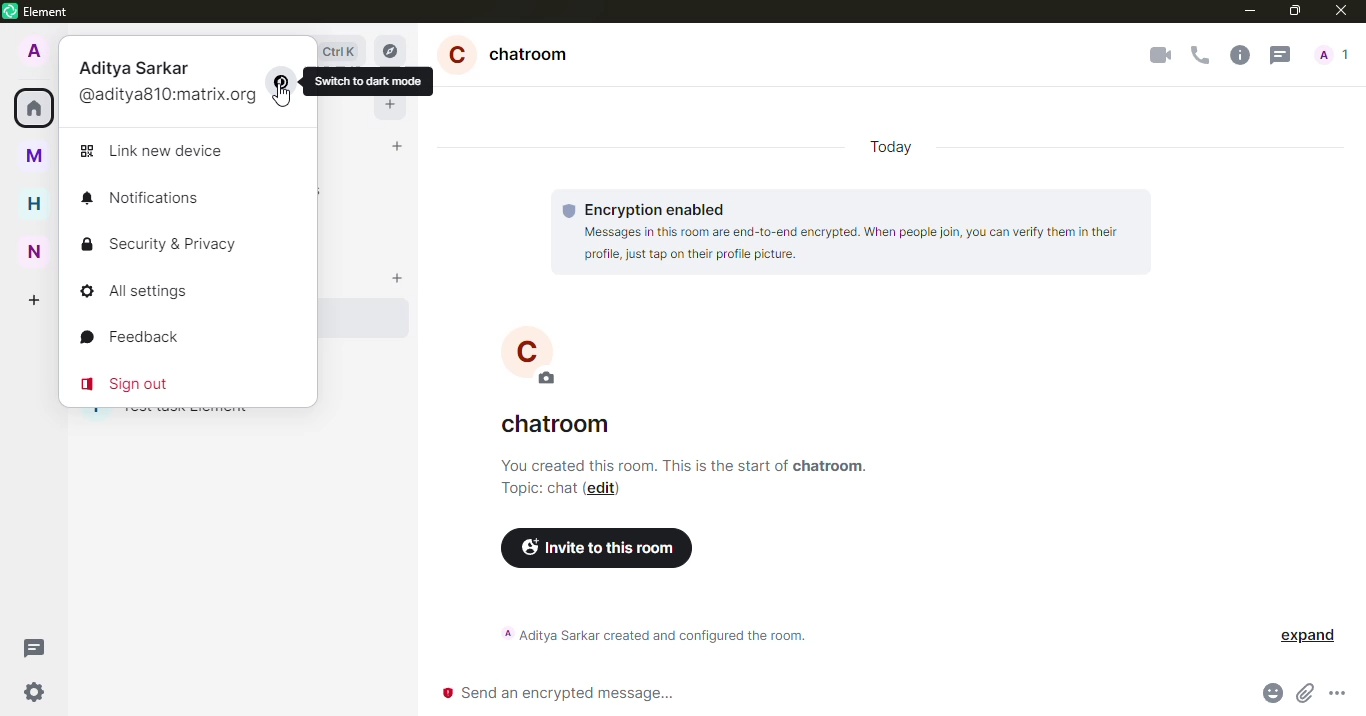 This screenshot has width=1366, height=716. Describe the element at coordinates (139, 291) in the screenshot. I see `all settings` at that location.